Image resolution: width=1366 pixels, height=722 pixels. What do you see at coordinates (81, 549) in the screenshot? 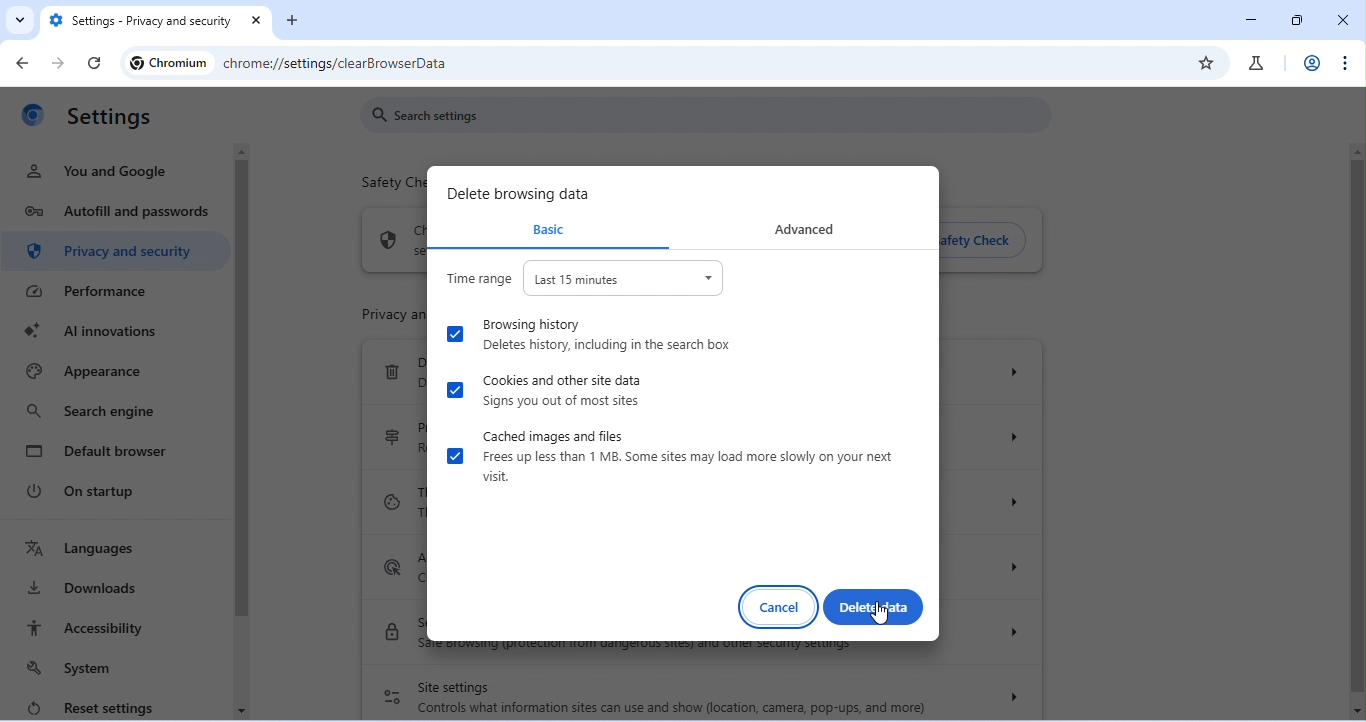
I see `languages` at bounding box center [81, 549].